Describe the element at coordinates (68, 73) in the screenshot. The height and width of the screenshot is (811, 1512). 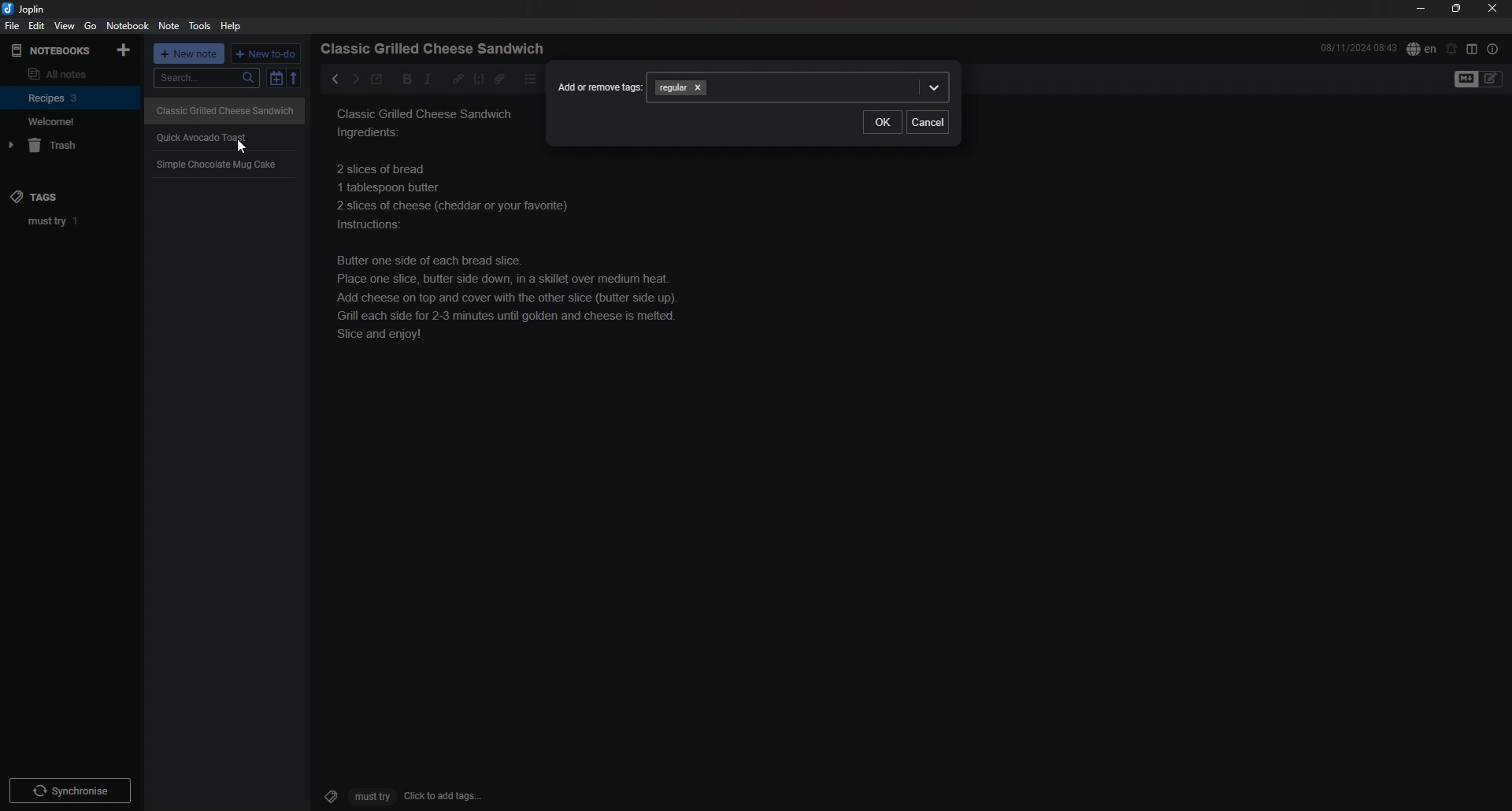
I see `all notes` at that location.